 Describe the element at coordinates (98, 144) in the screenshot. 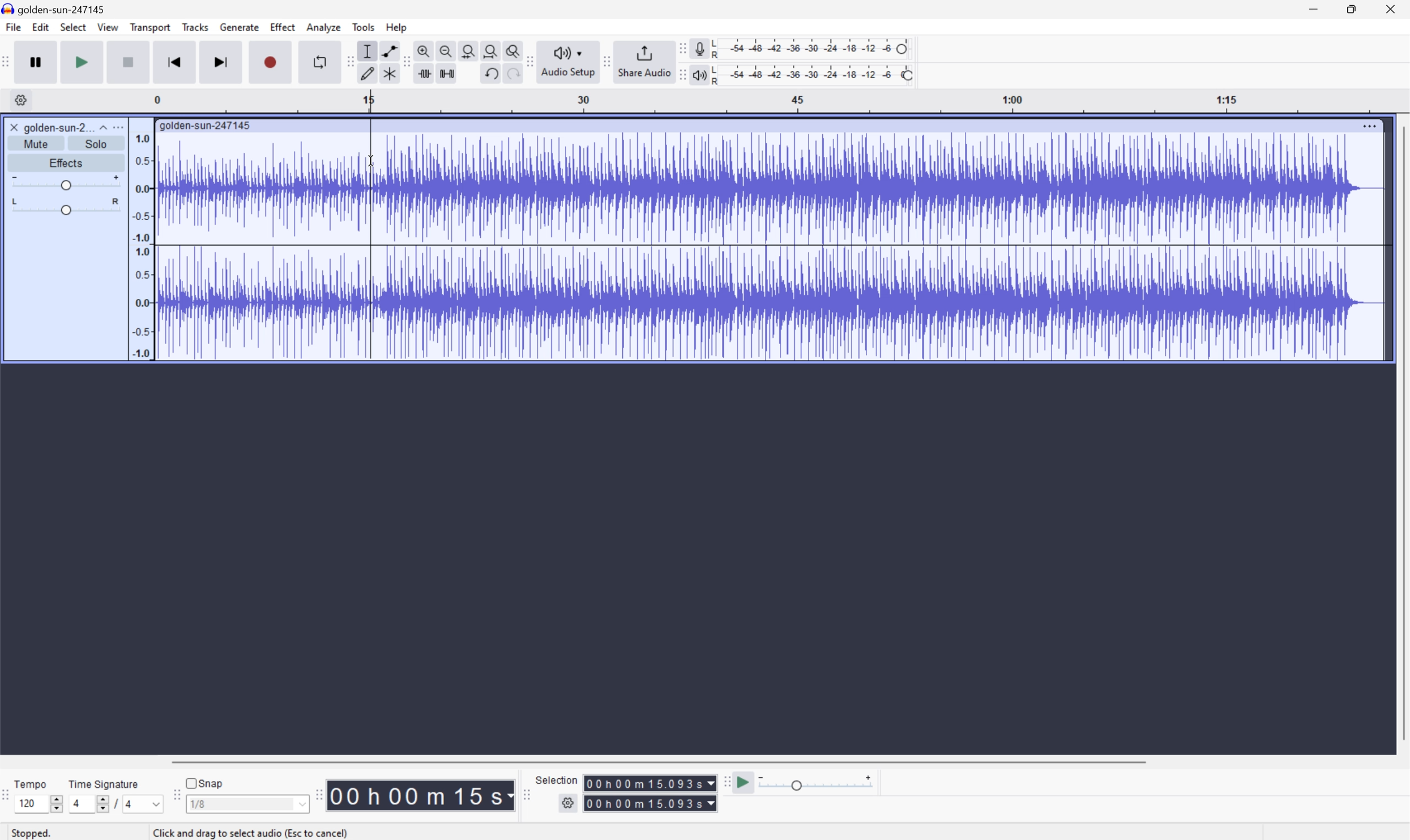

I see `Solo` at that location.